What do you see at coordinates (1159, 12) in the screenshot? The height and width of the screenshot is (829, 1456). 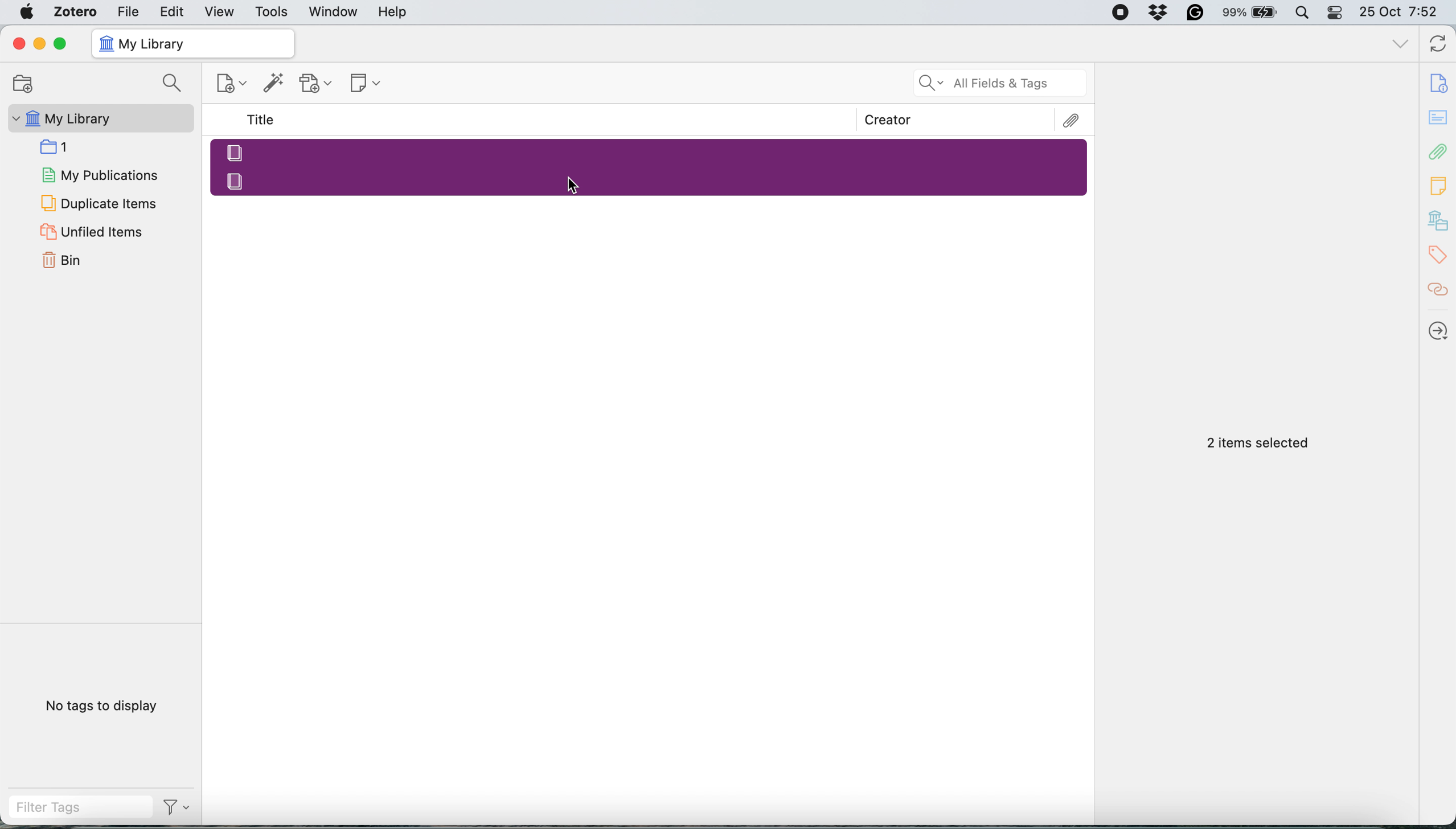 I see `Dropbox` at bounding box center [1159, 12].